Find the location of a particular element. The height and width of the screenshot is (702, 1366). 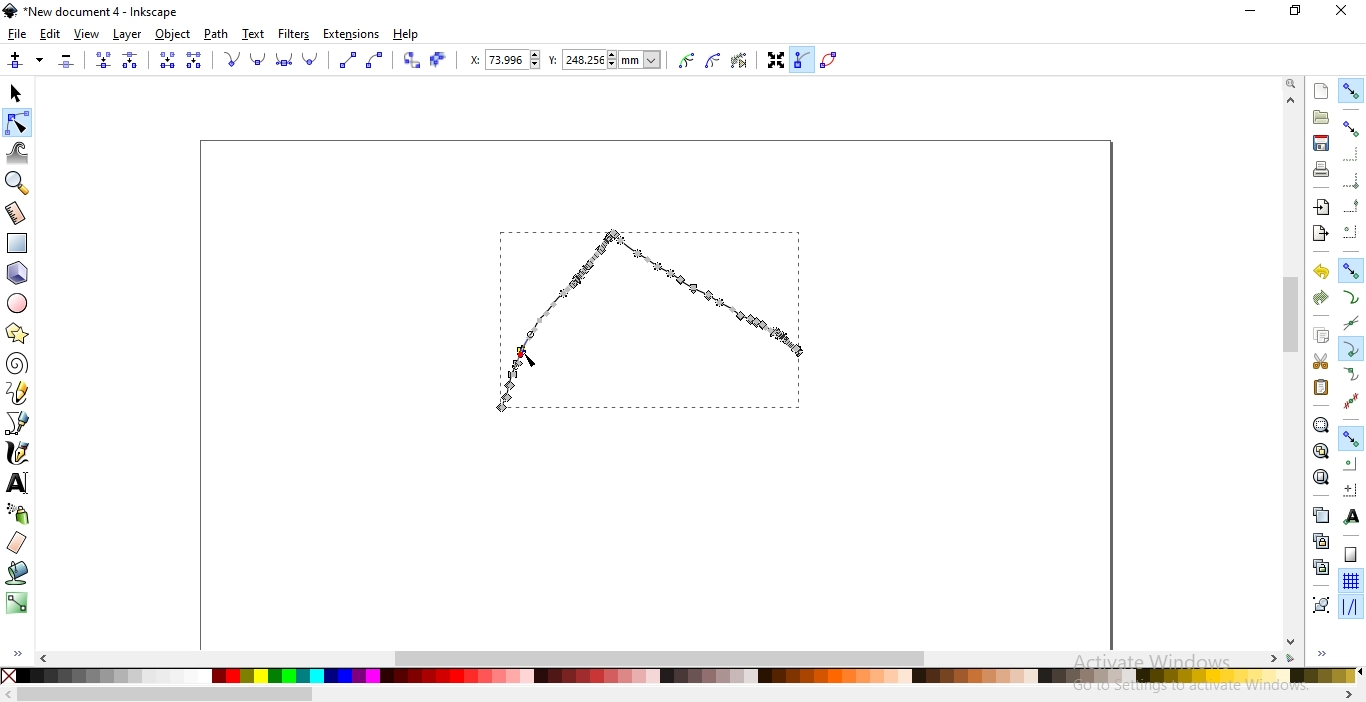

snap centers of objects is located at coordinates (1349, 462).